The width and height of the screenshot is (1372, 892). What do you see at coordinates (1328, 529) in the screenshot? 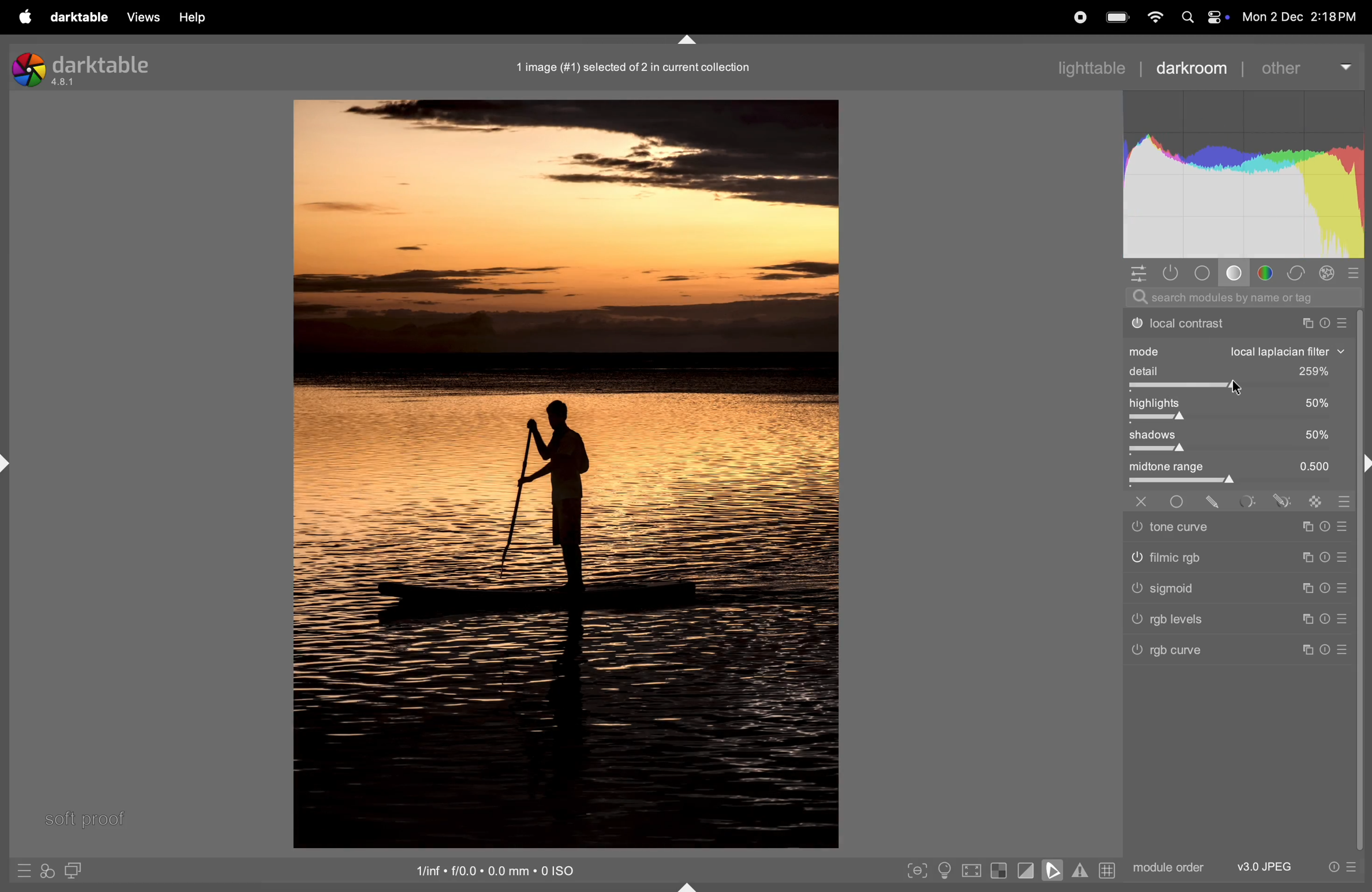
I see `sign ` at bounding box center [1328, 529].